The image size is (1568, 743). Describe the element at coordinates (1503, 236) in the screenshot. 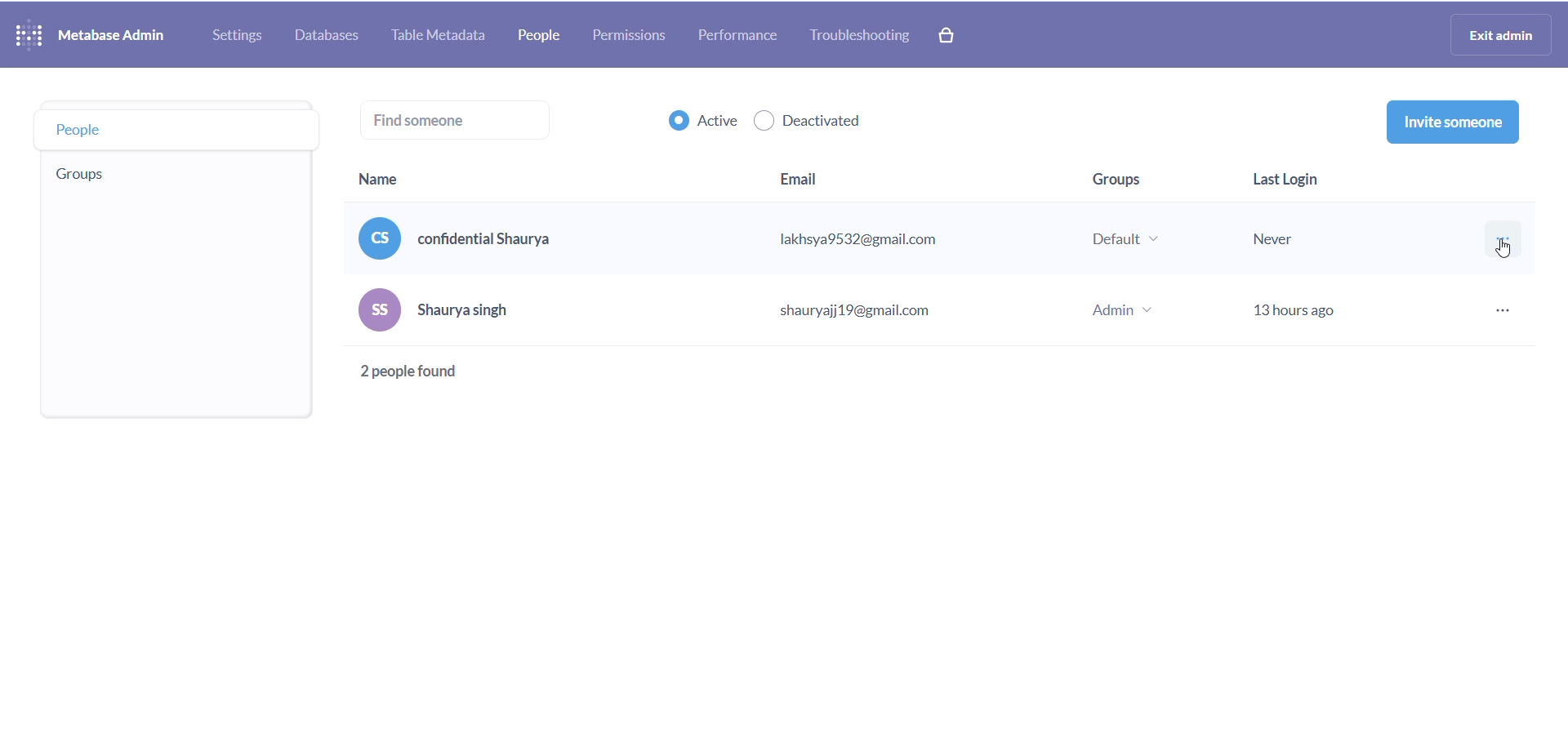

I see `more options` at that location.